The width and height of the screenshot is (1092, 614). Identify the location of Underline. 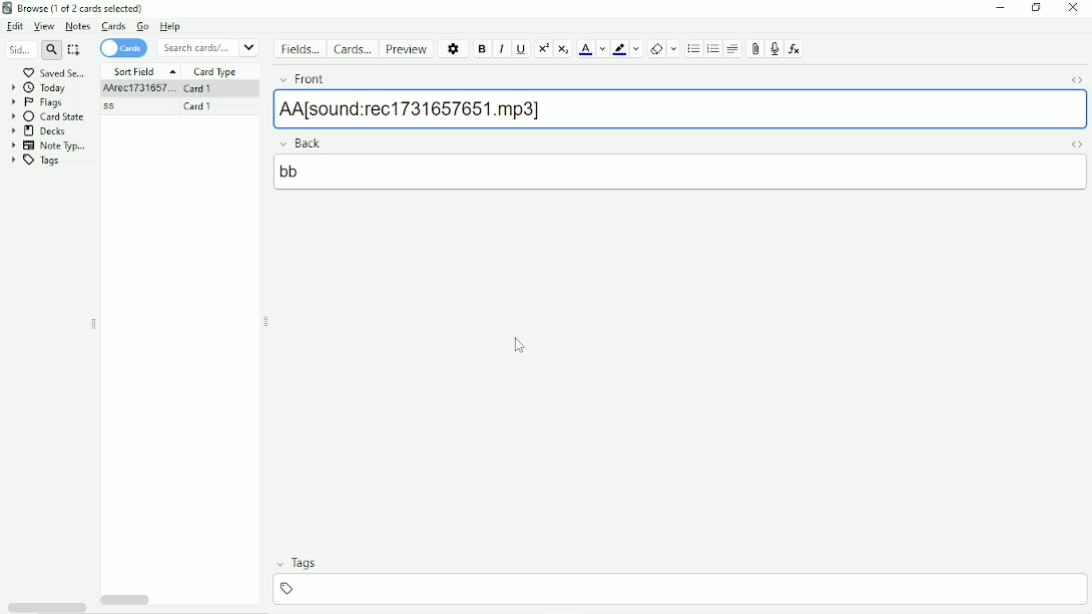
(522, 49).